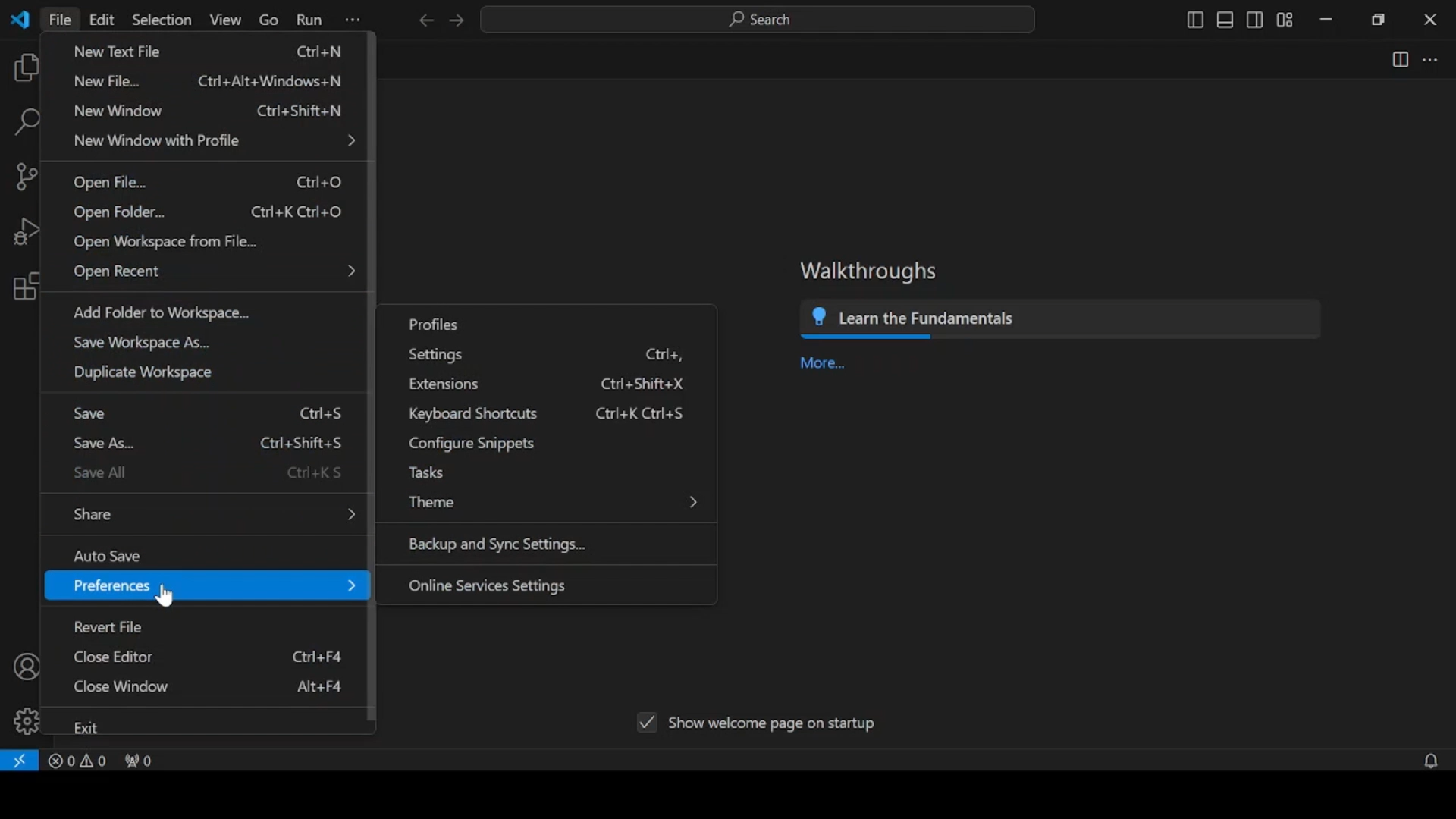 The height and width of the screenshot is (819, 1456). What do you see at coordinates (758, 20) in the screenshot?
I see `search bar` at bounding box center [758, 20].